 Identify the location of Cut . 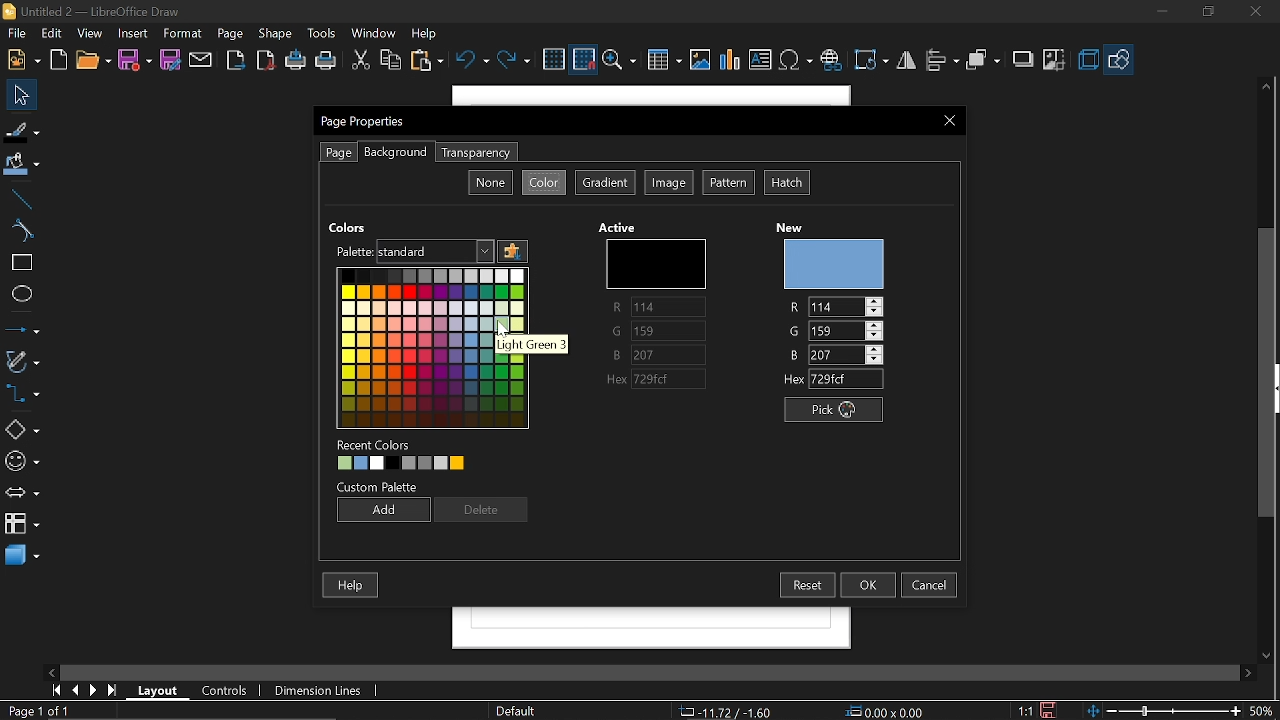
(360, 61).